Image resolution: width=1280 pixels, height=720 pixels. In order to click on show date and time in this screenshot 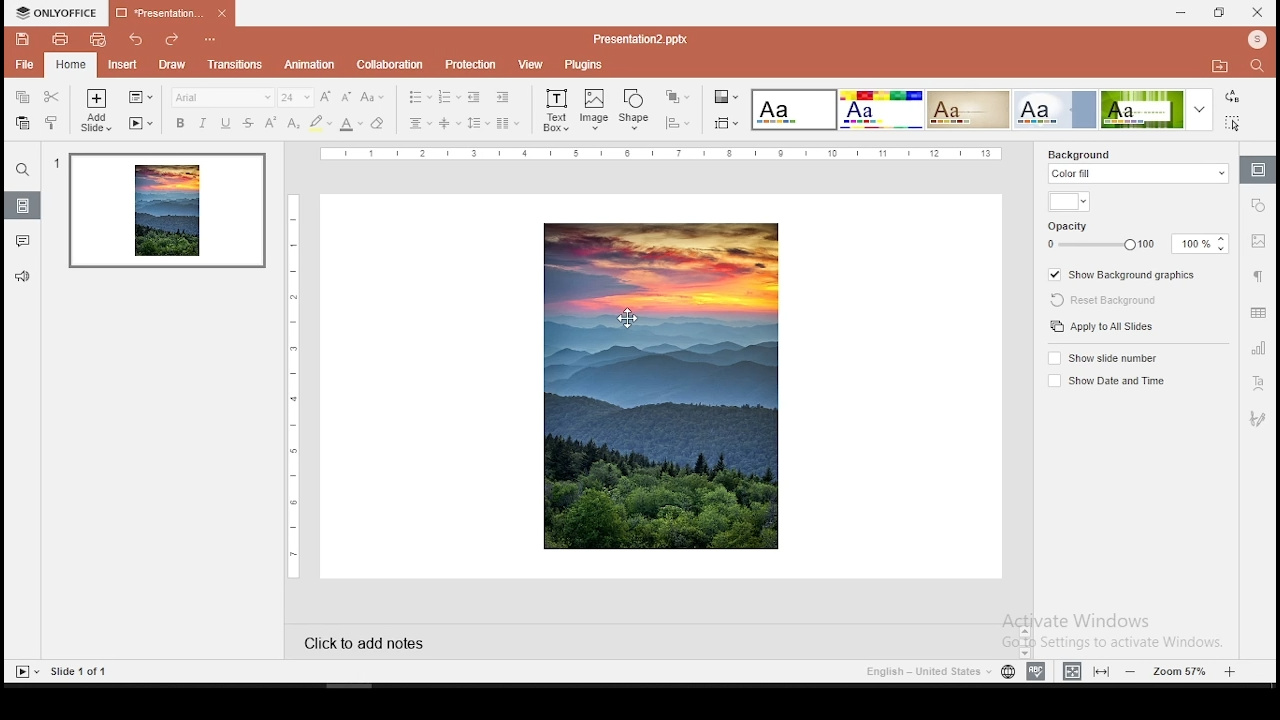, I will do `click(1107, 381)`.